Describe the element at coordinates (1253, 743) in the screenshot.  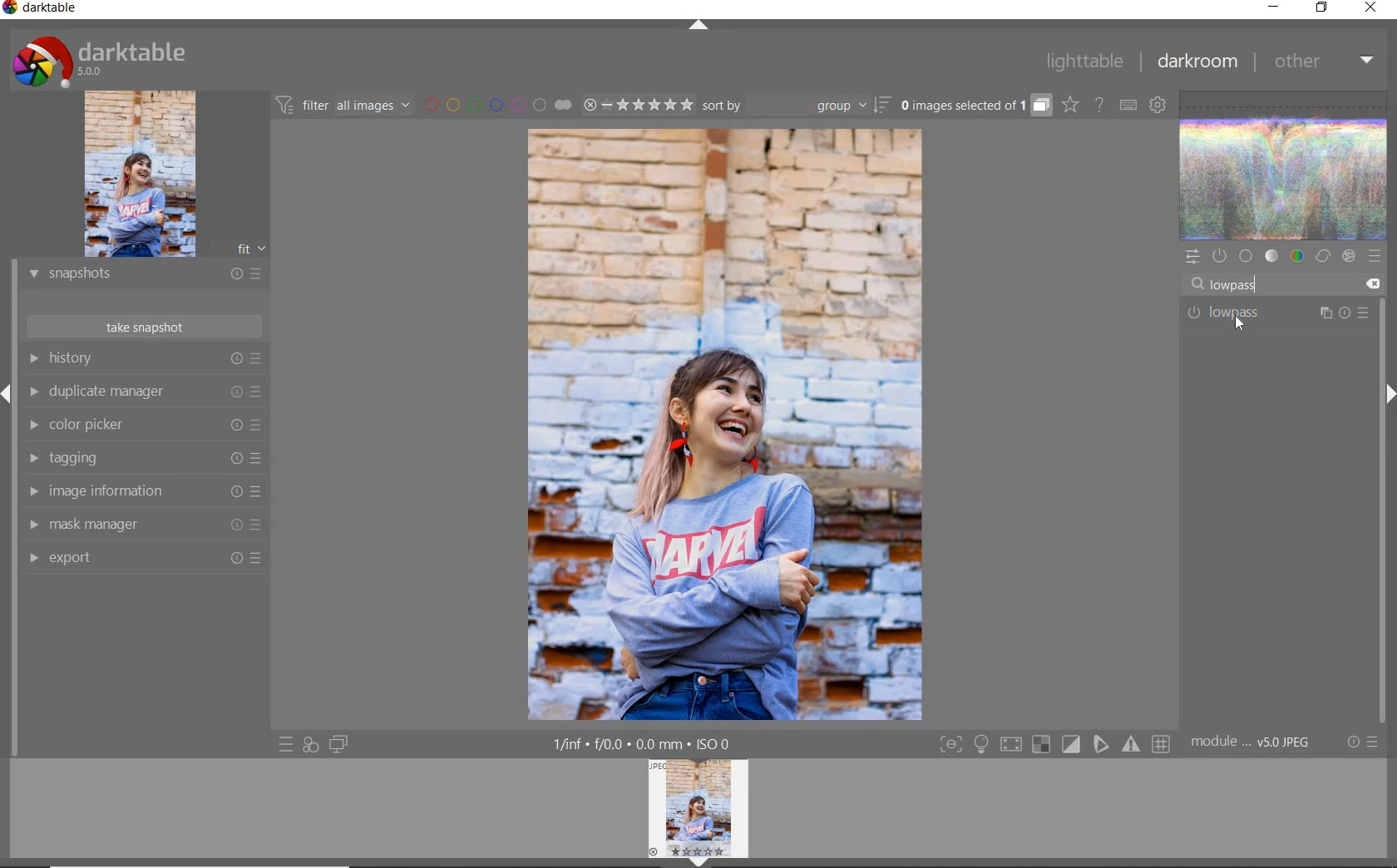
I see `module..v50JPEG` at that location.